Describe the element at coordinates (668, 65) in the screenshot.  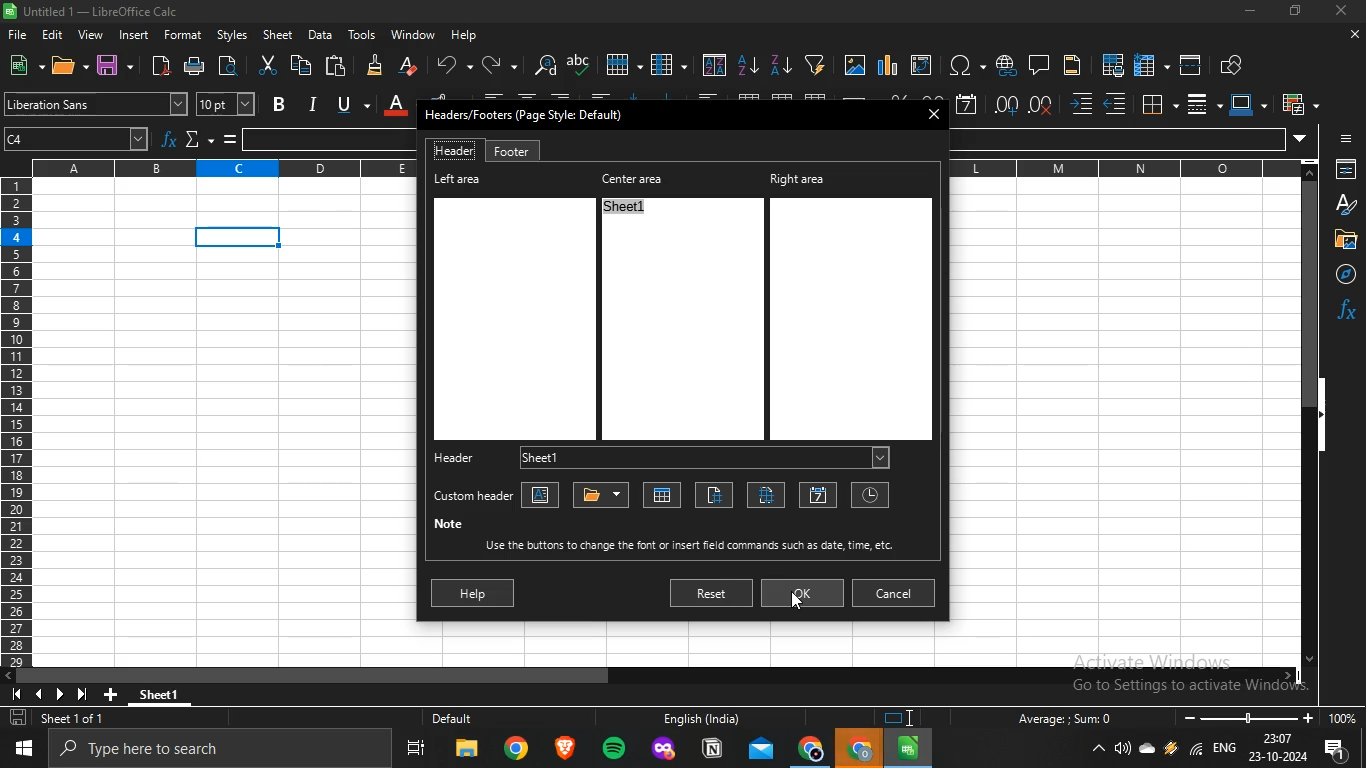
I see `column` at that location.